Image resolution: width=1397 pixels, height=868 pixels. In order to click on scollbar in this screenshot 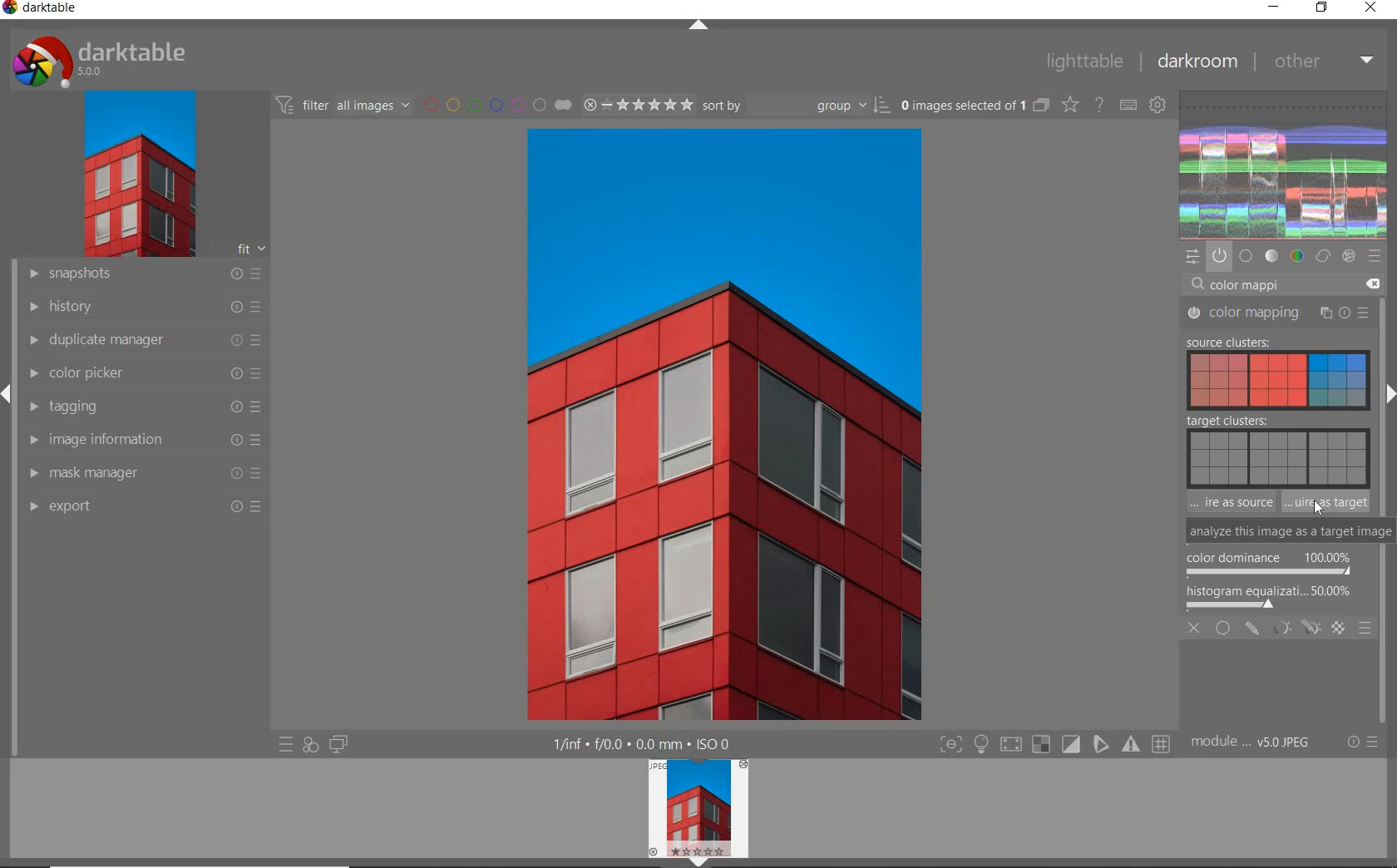, I will do `click(1387, 333)`.